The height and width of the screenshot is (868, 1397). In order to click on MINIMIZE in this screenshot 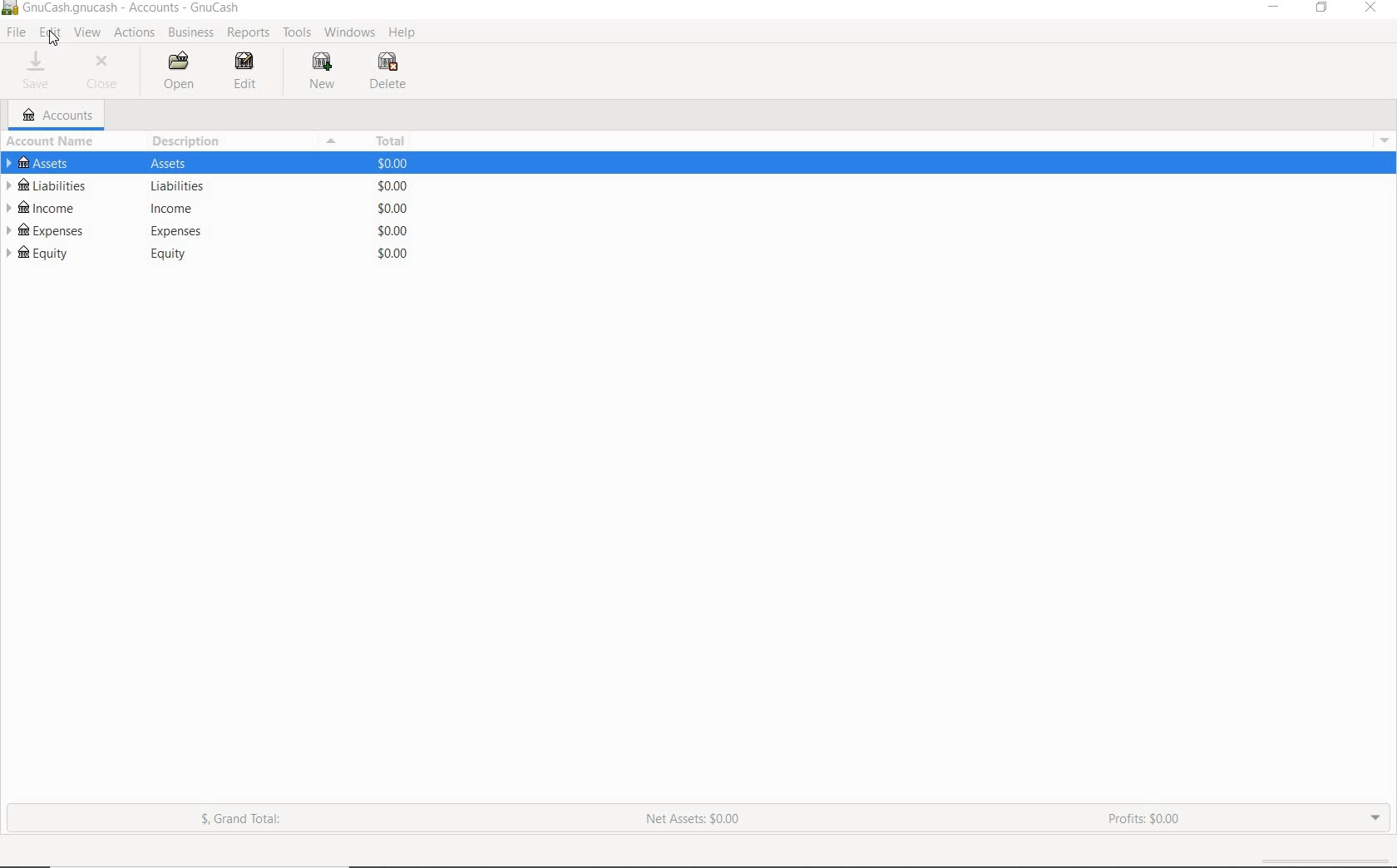, I will do `click(1276, 11)`.